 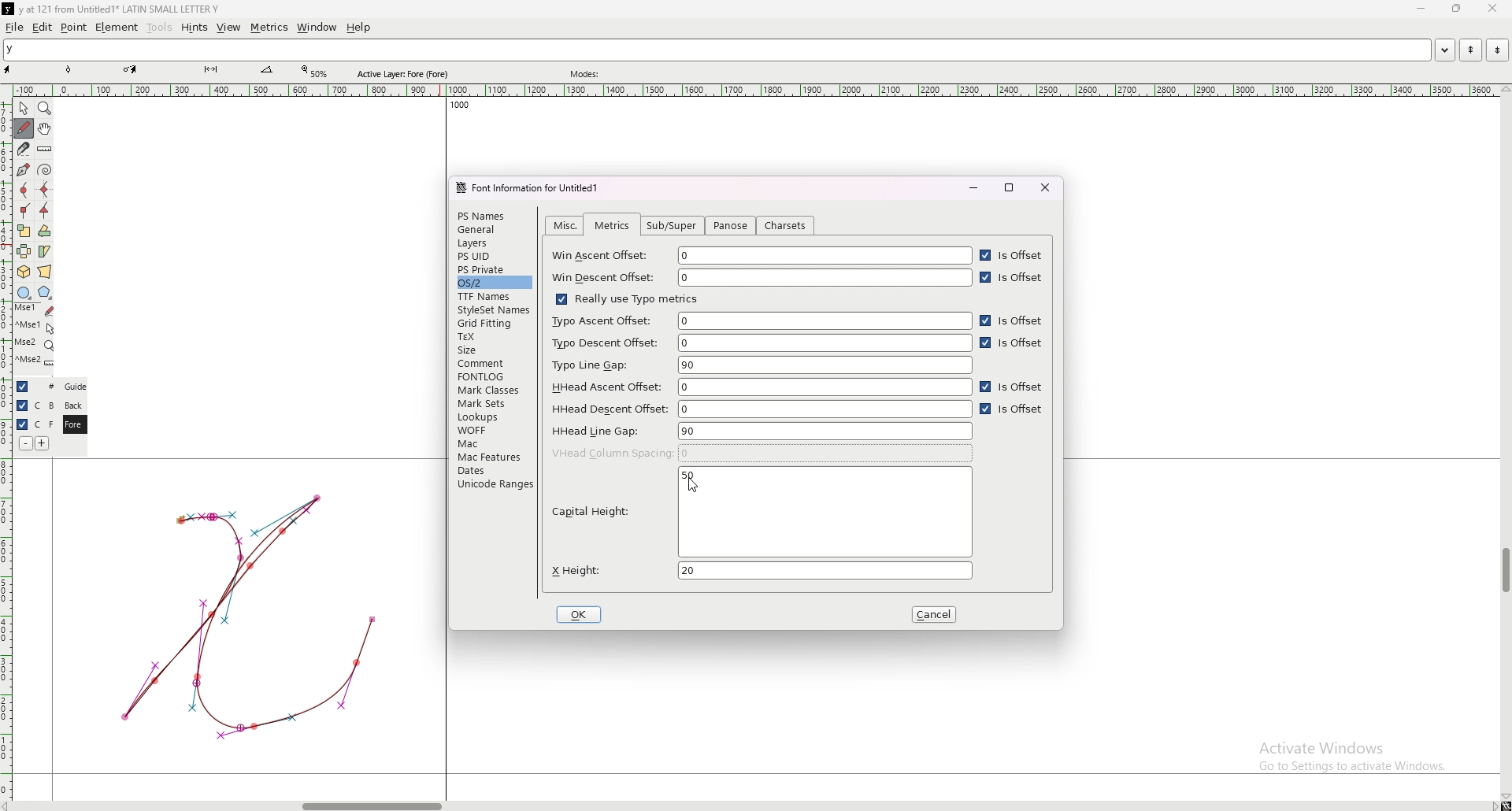 What do you see at coordinates (24, 128) in the screenshot?
I see `draw freehand` at bounding box center [24, 128].